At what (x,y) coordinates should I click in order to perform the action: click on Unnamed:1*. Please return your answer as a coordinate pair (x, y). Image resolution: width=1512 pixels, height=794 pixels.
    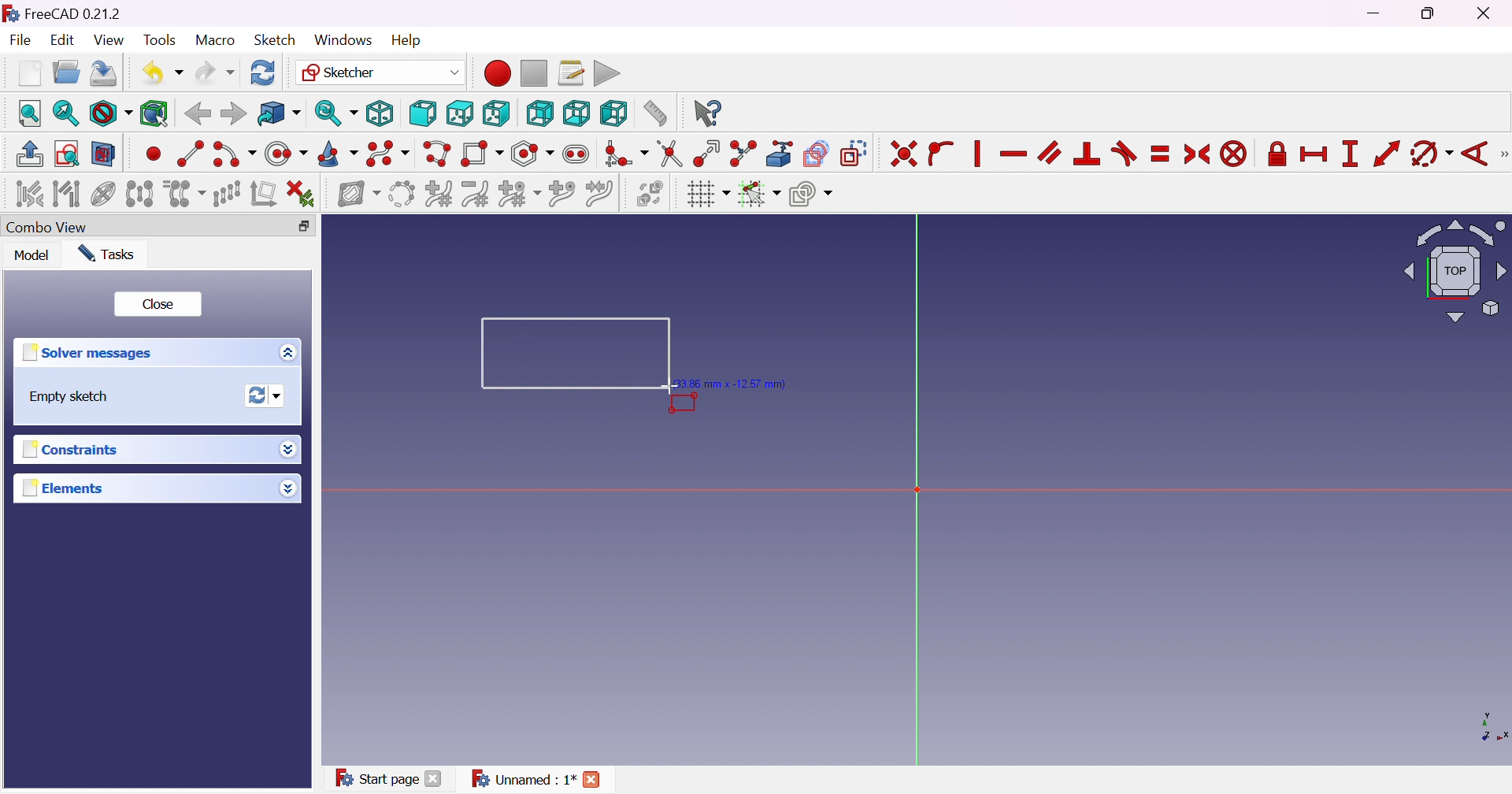
    Looking at the image, I should click on (523, 781).